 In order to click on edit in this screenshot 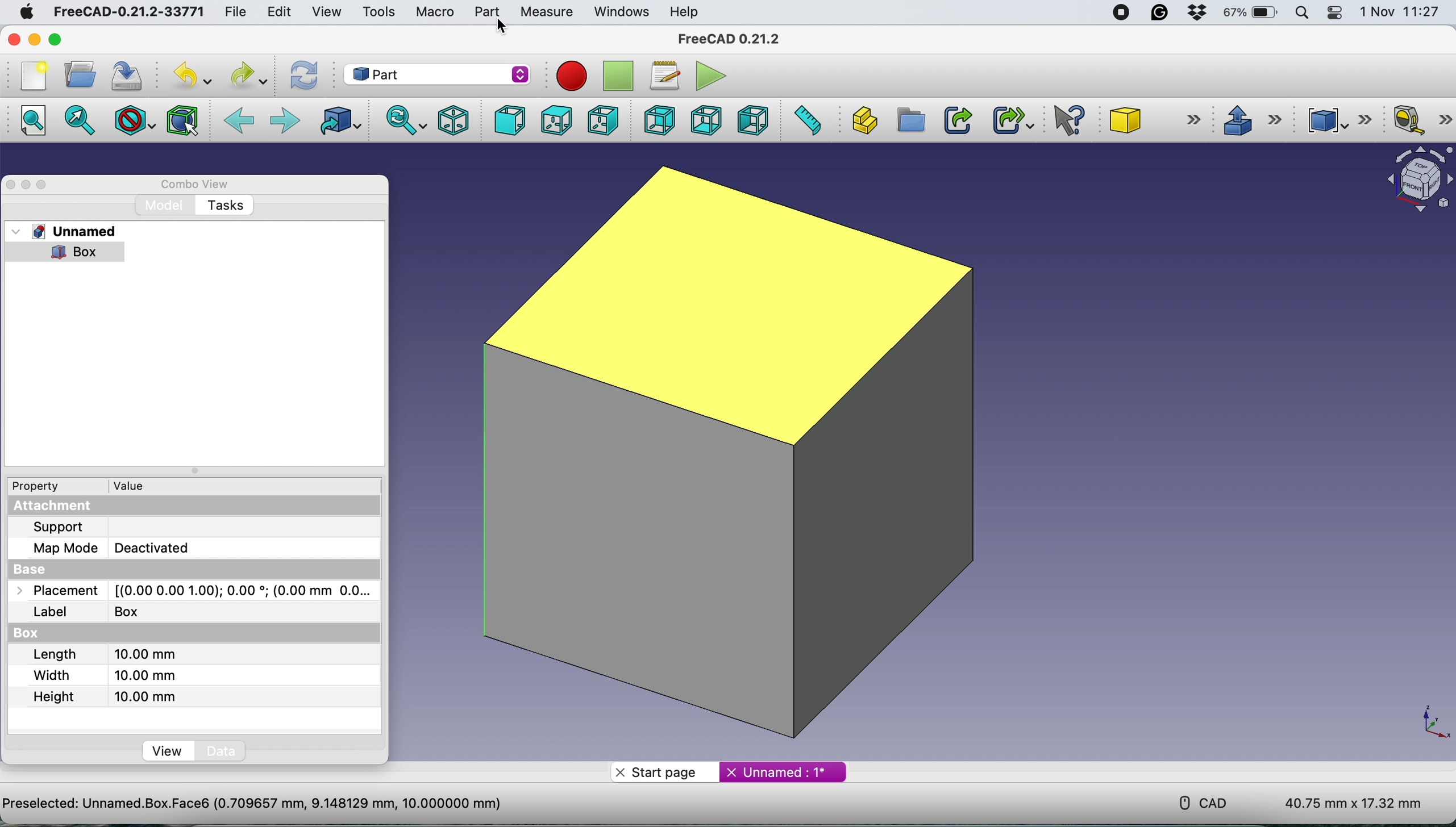, I will do `click(282, 13)`.